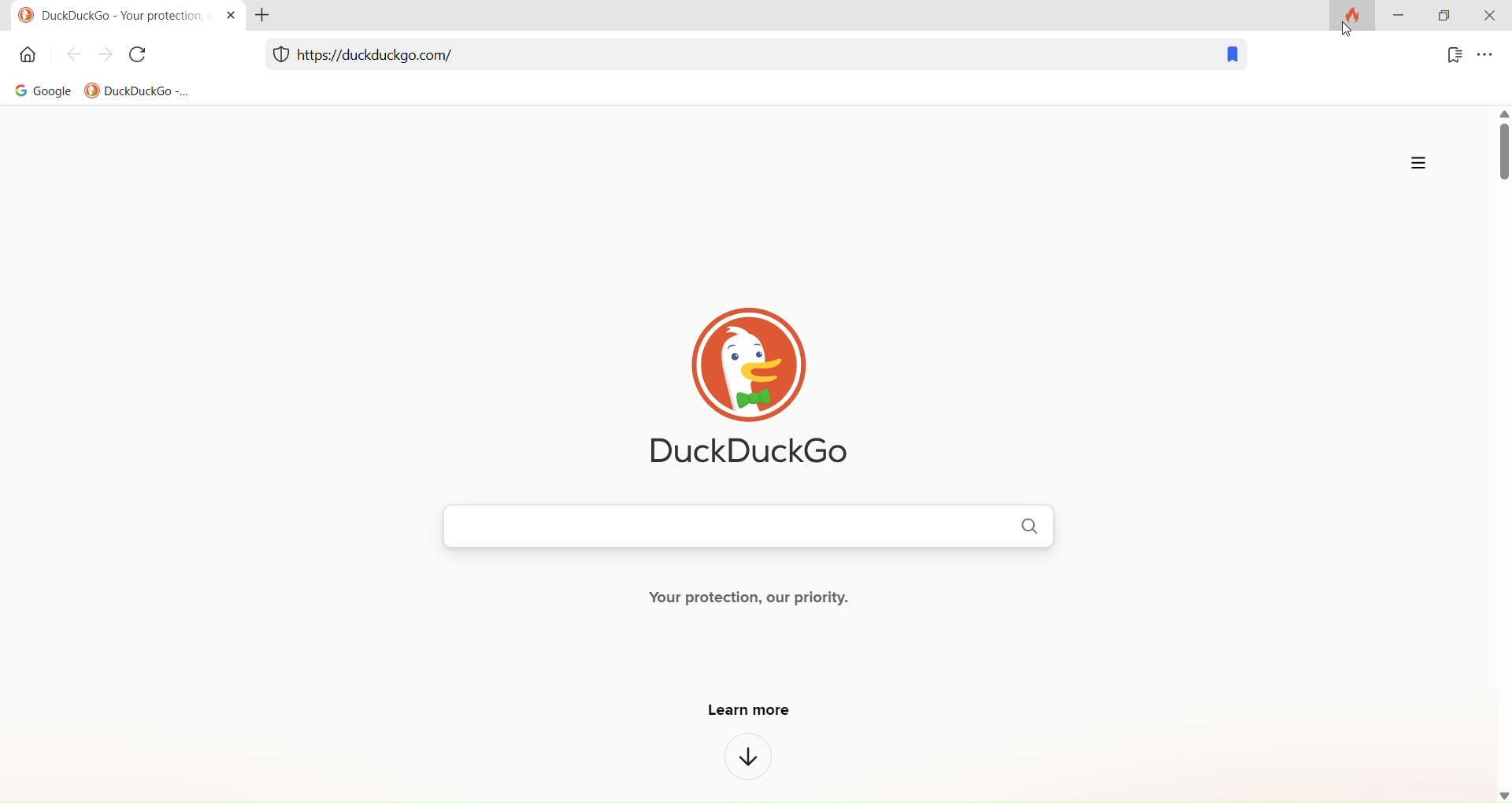 Image resolution: width=1512 pixels, height=803 pixels. Describe the element at coordinates (1444, 14) in the screenshot. I see `maximize` at that location.